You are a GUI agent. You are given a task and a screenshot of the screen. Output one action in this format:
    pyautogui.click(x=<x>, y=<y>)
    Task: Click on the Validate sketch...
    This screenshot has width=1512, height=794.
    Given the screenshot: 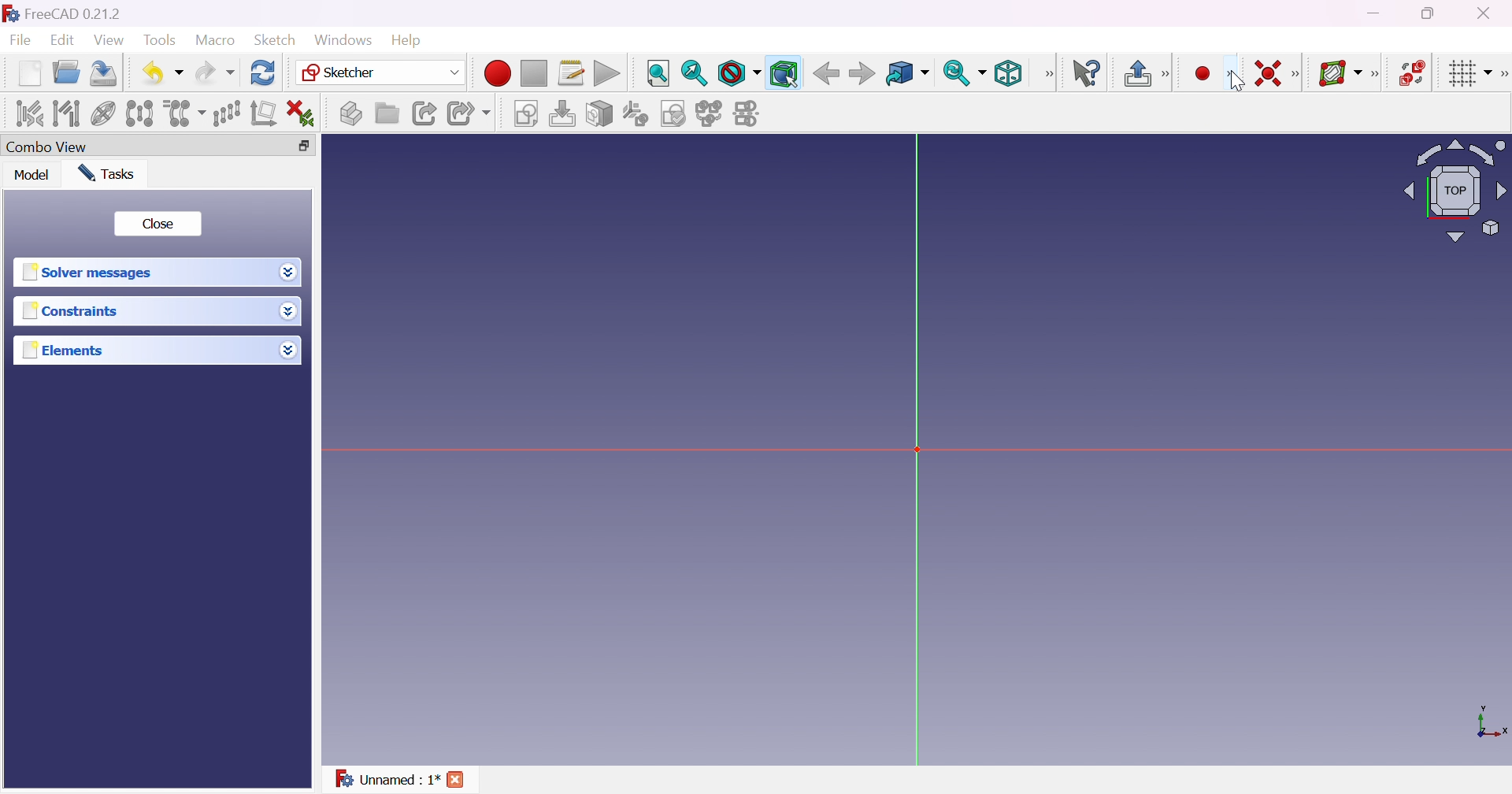 What is the action you would take?
    pyautogui.click(x=673, y=114)
    